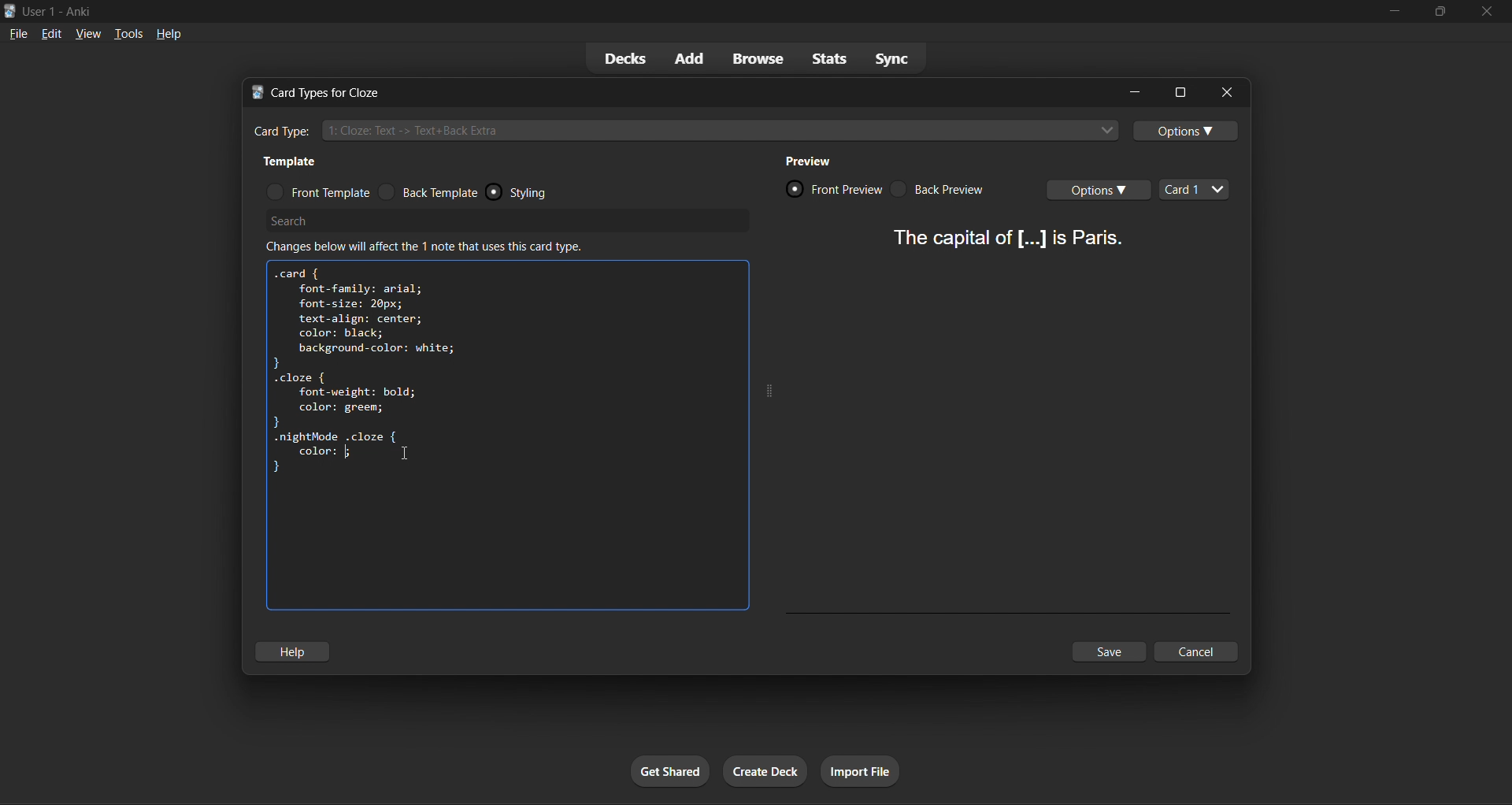  Describe the element at coordinates (510, 226) in the screenshot. I see `search bar` at that location.